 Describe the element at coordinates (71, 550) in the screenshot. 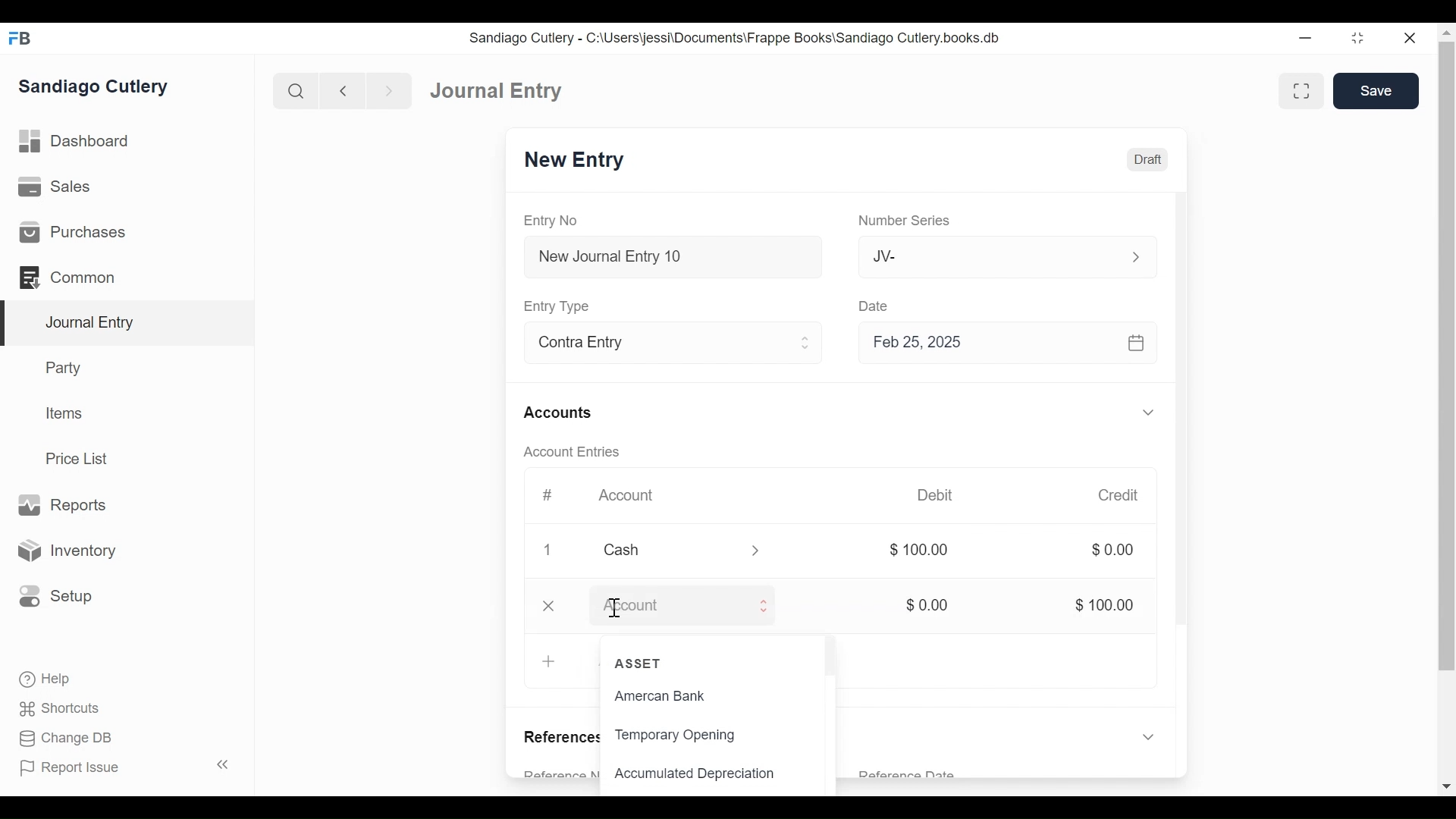

I see `Inventory` at that location.